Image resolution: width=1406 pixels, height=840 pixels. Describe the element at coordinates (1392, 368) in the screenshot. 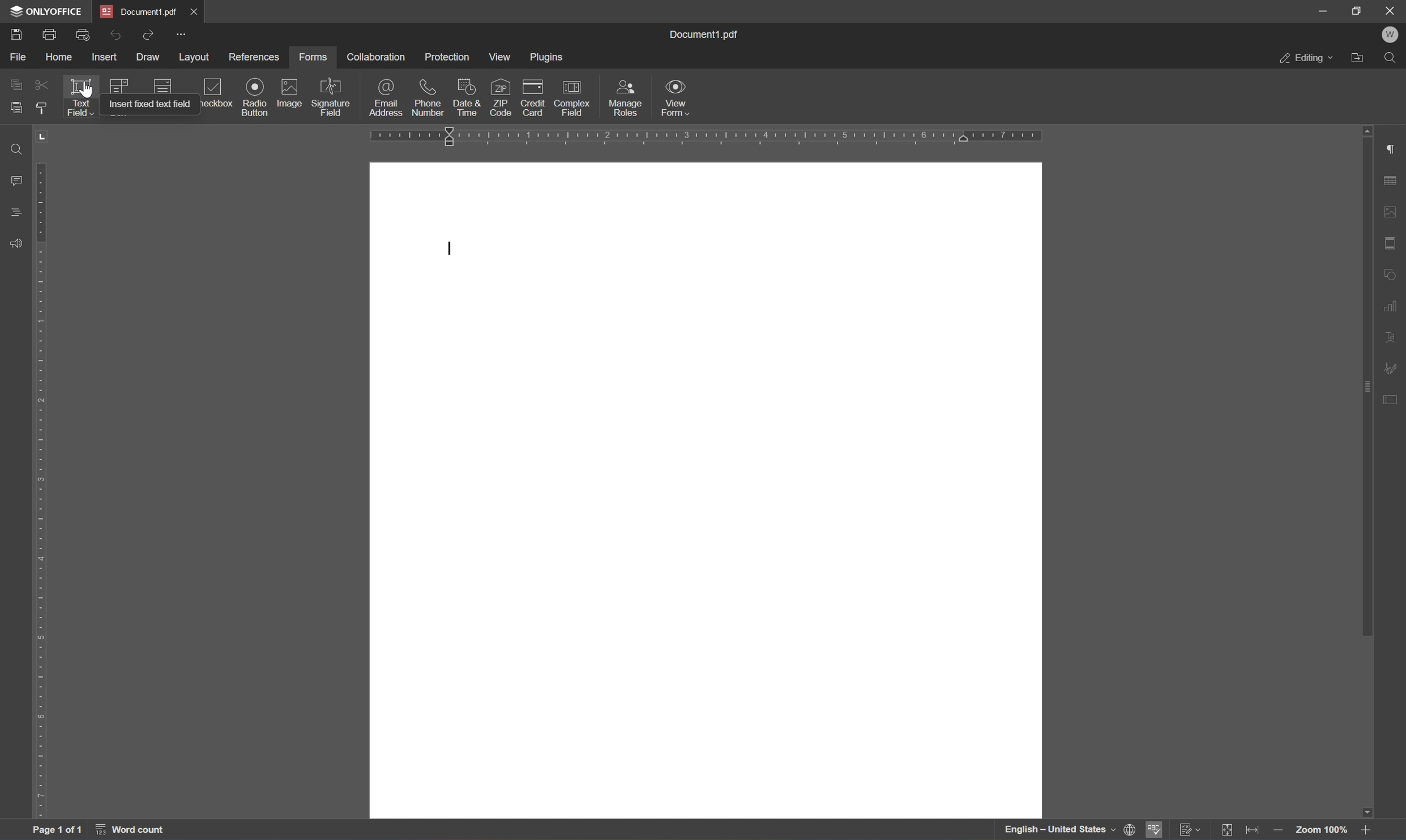

I see `signature settings` at that location.